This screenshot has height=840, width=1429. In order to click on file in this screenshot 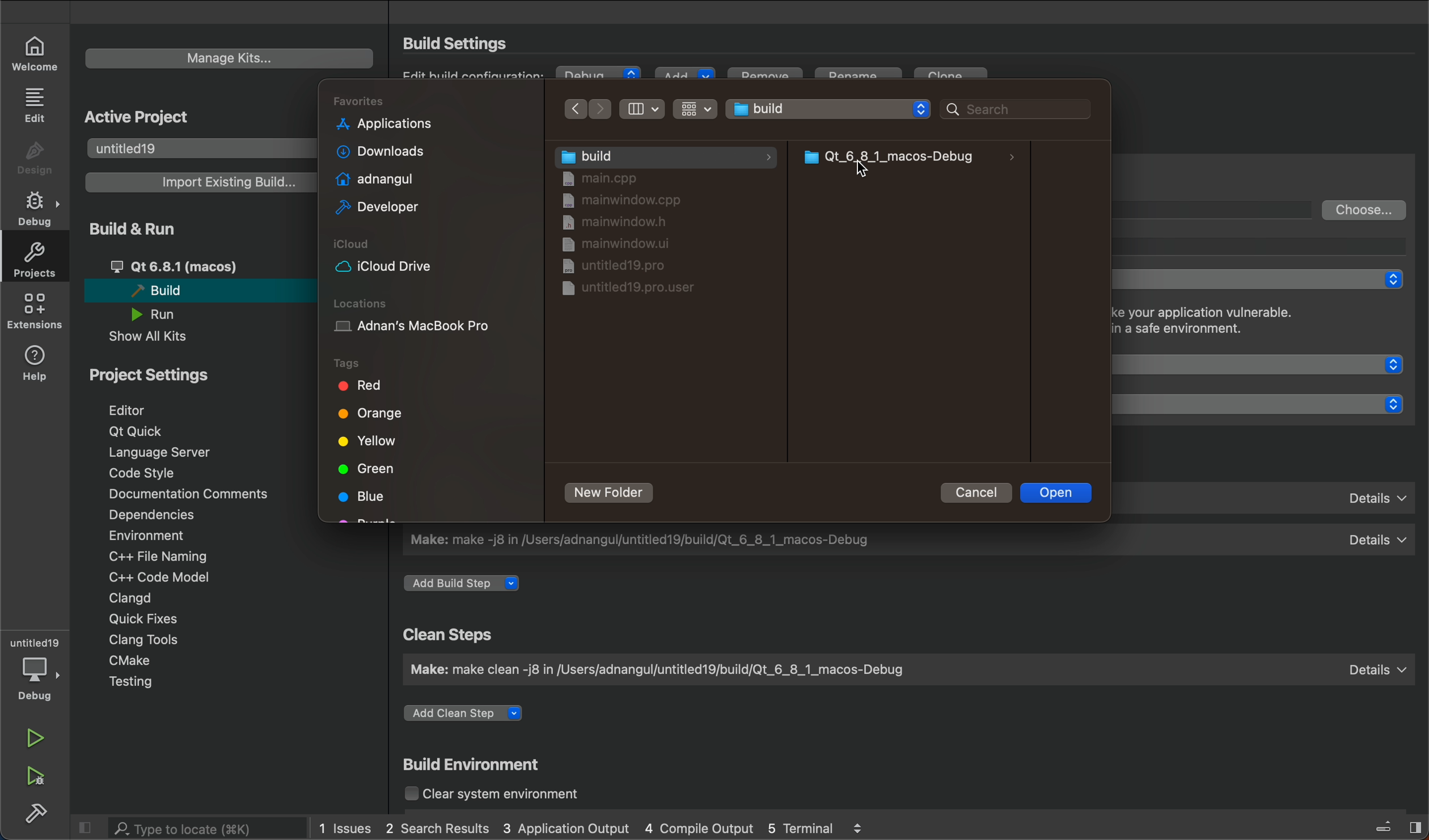, I will do `click(621, 265)`.